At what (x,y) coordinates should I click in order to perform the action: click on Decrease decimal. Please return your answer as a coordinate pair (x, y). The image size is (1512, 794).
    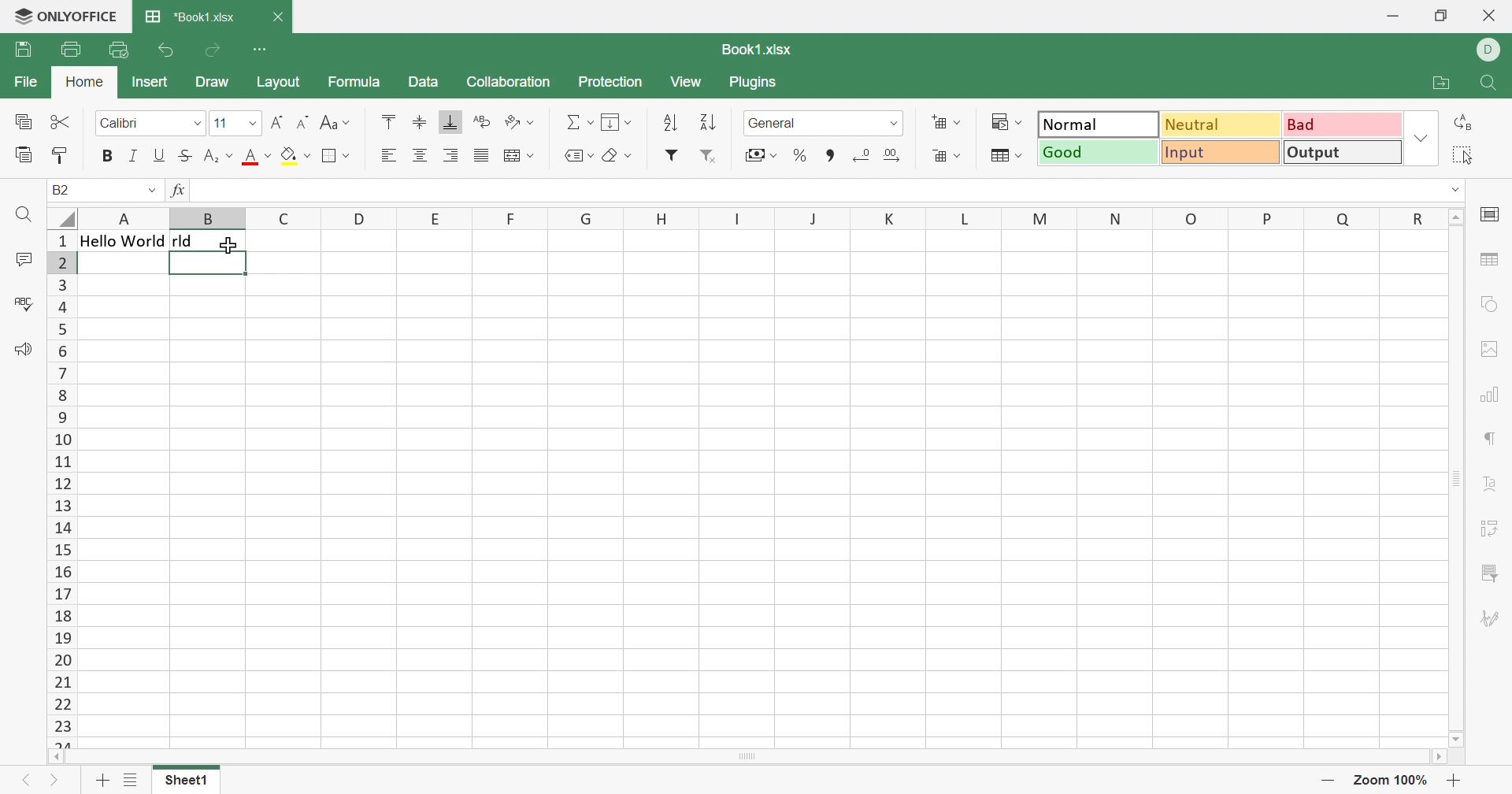
    Looking at the image, I should click on (862, 156).